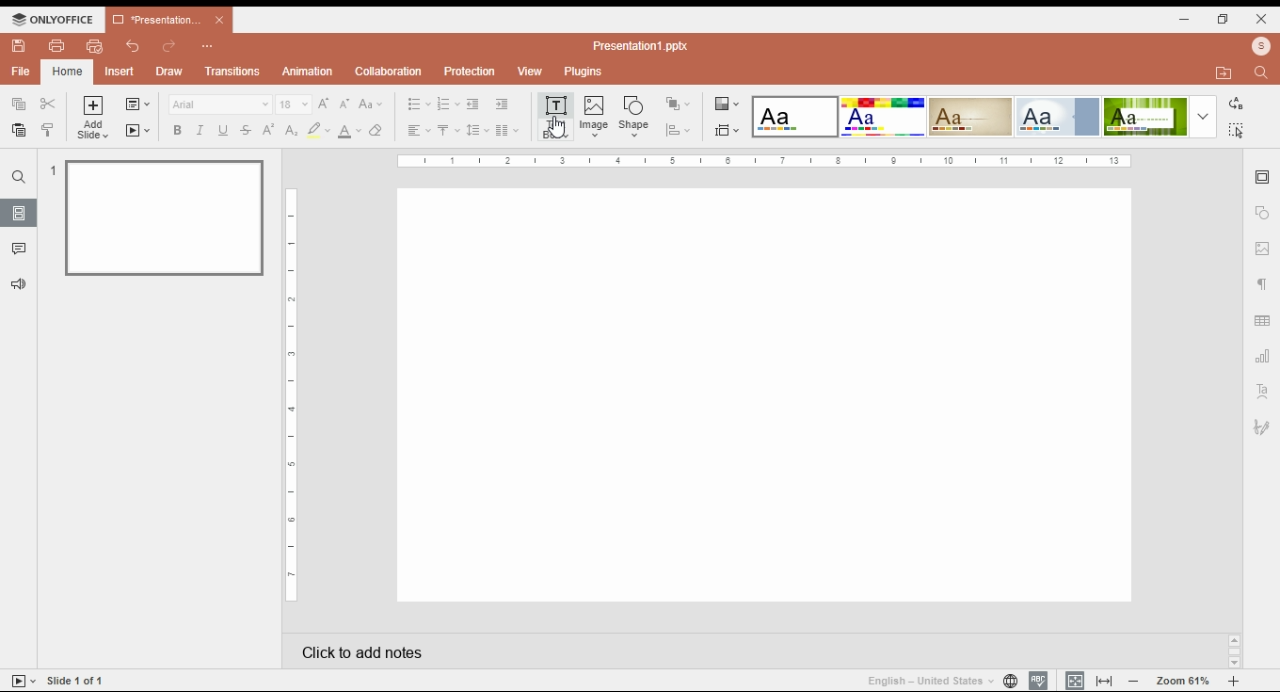 The image size is (1280, 692). What do you see at coordinates (795, 117) in the screenshot?
I see `color theme` at bounding box center [795, 117].